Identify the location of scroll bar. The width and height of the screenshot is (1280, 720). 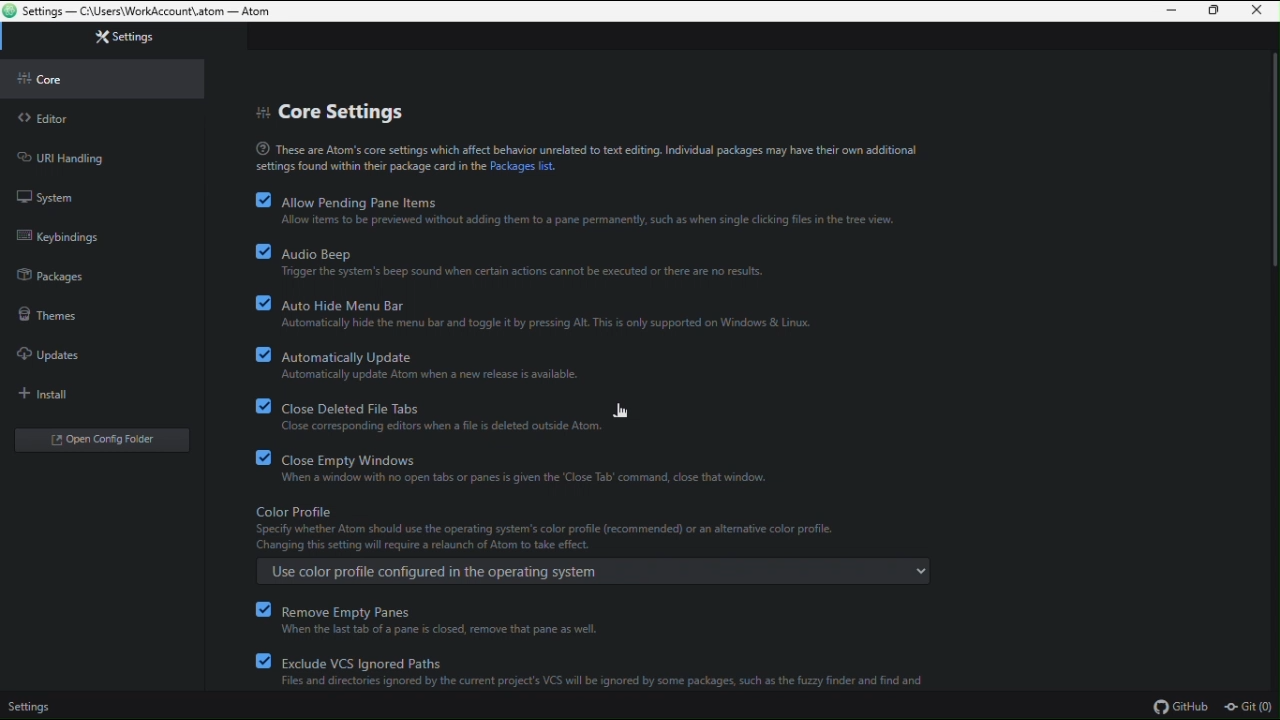
(1271, 164).